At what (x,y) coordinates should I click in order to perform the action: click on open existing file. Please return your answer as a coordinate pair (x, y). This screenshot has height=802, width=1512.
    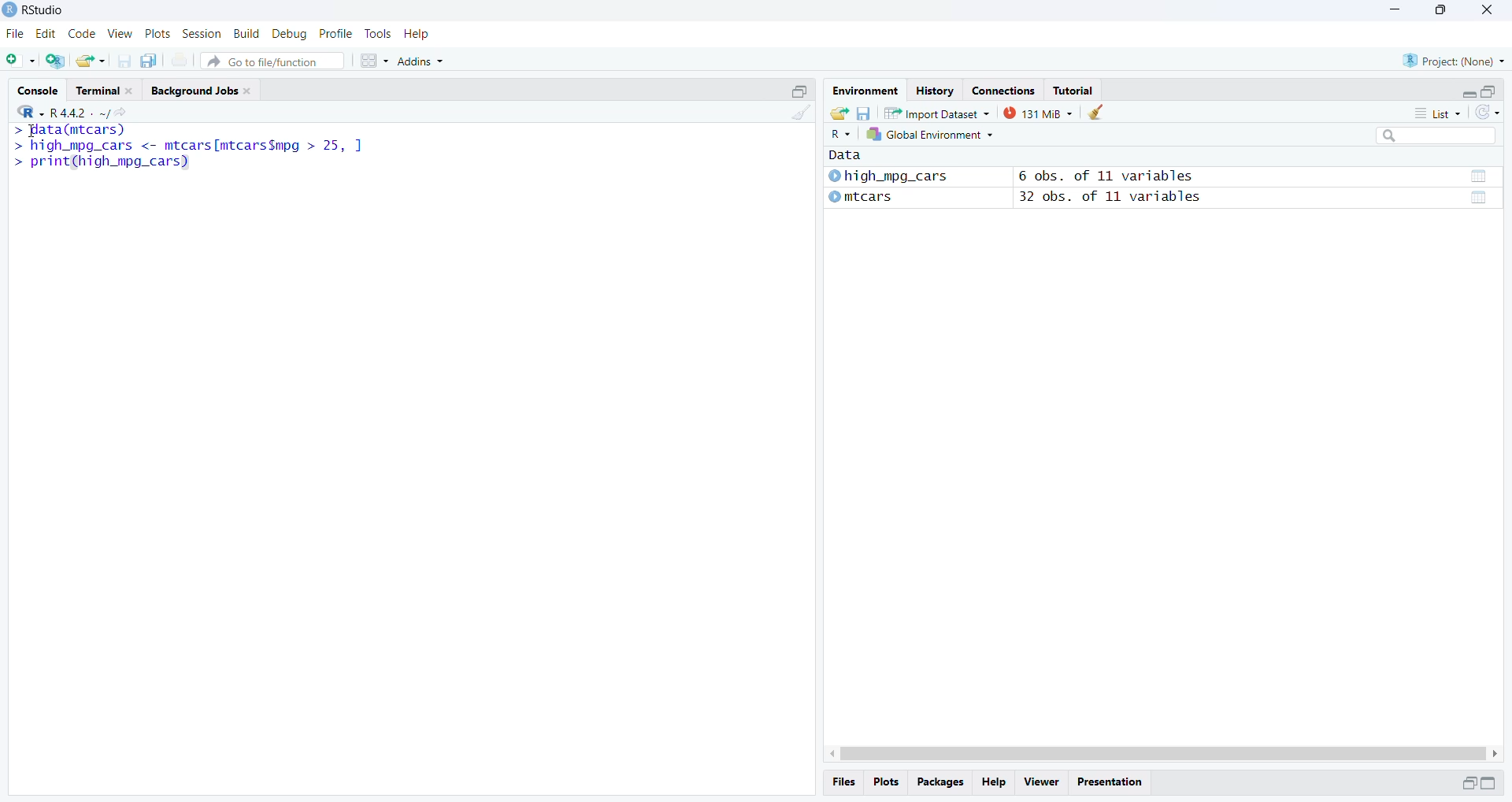
    Looking at the image, I should click on (91, 61).